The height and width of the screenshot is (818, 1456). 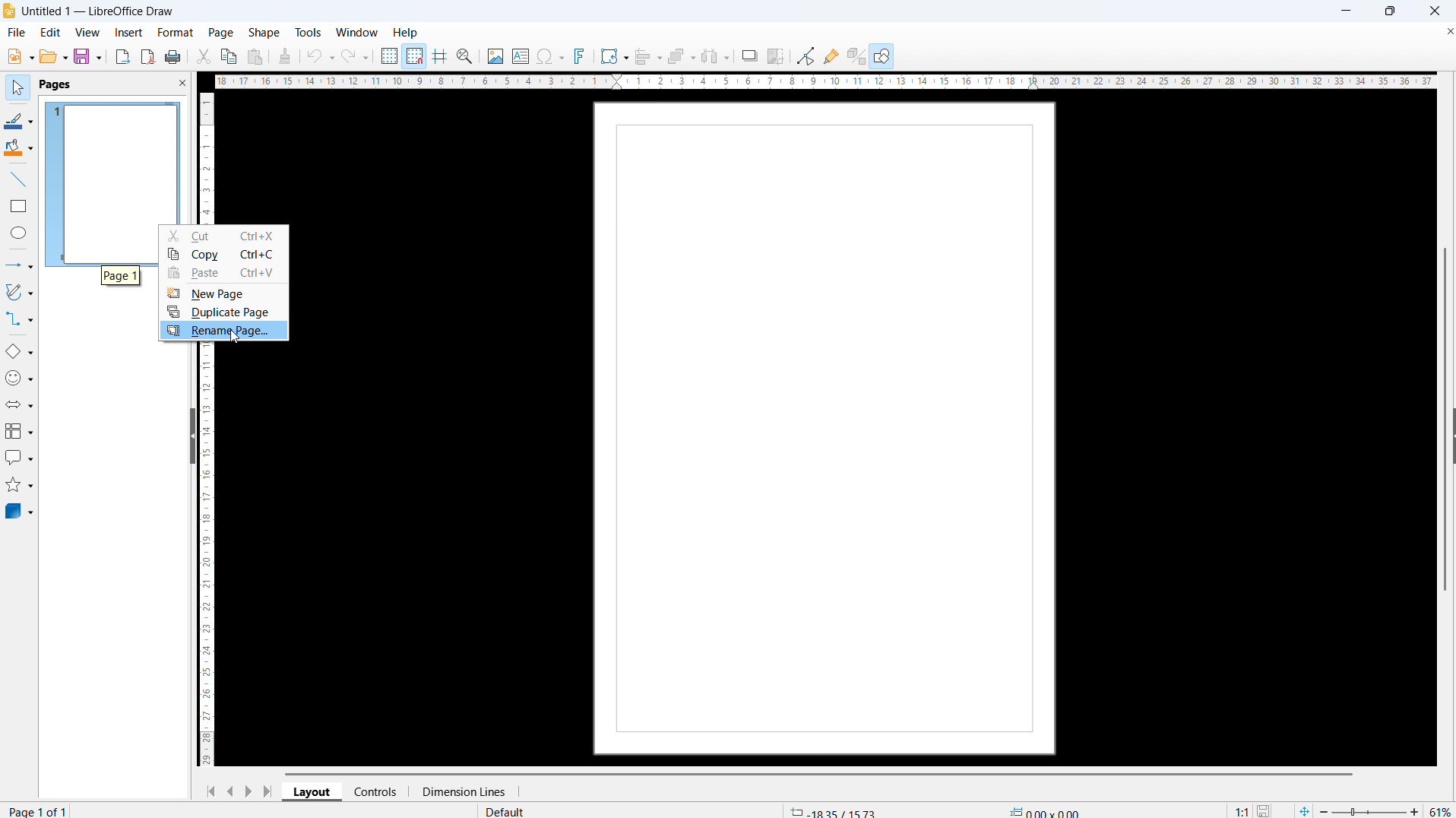 I want to click on stars and banners, so click(x=20, y=487).